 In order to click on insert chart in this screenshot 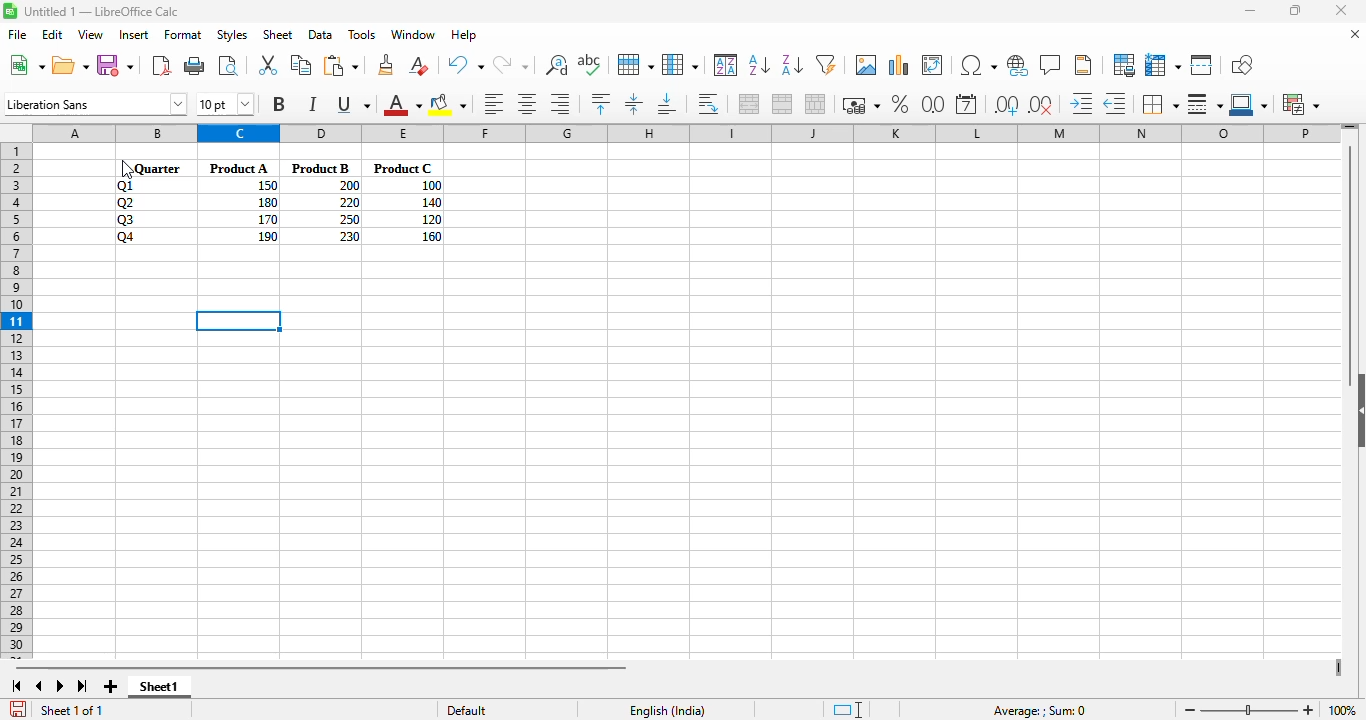, I will do `click(899, 64)`.